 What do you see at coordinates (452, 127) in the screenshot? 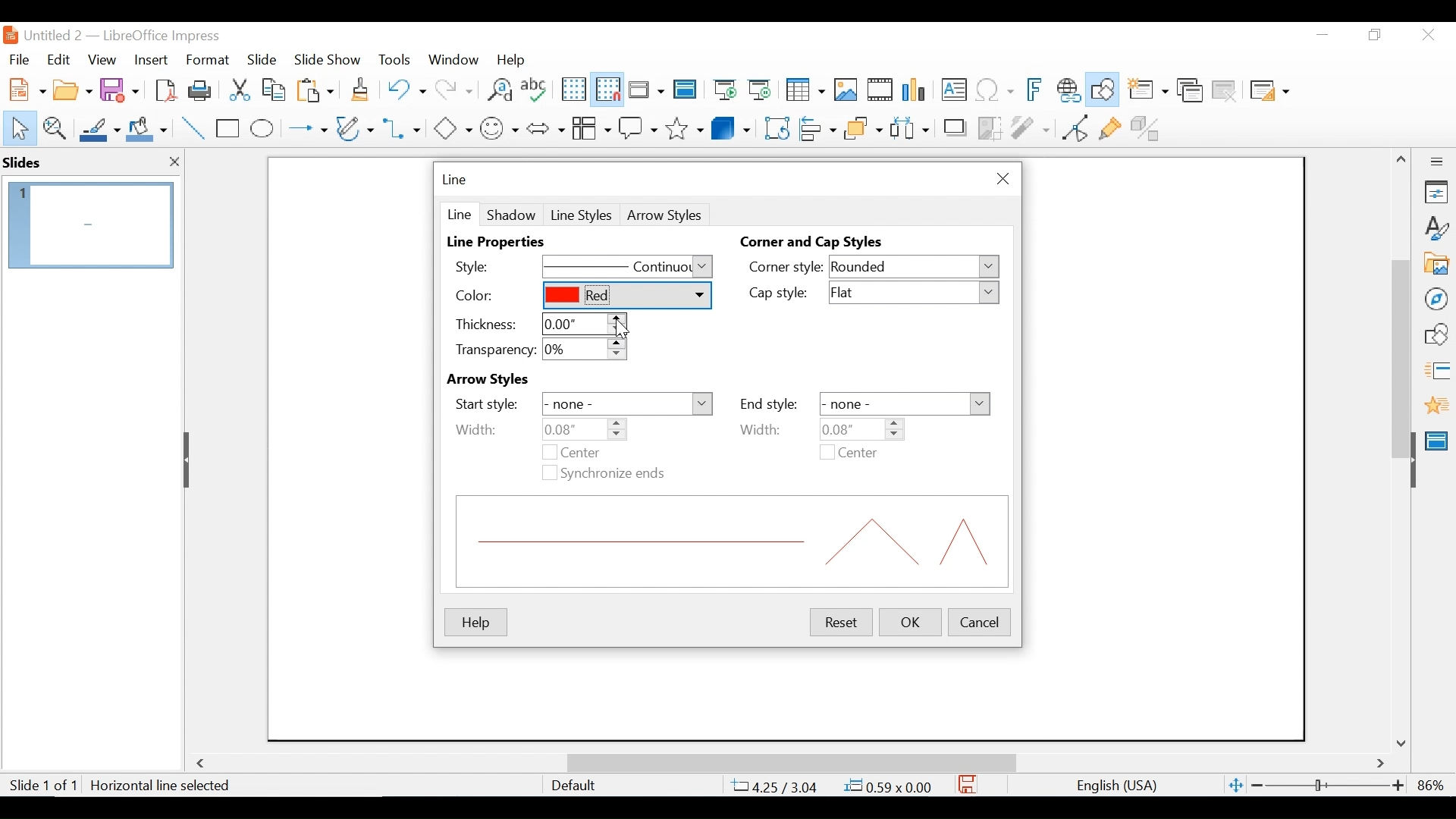
I see `Basic Shapes` at bounding box center [452, 127].